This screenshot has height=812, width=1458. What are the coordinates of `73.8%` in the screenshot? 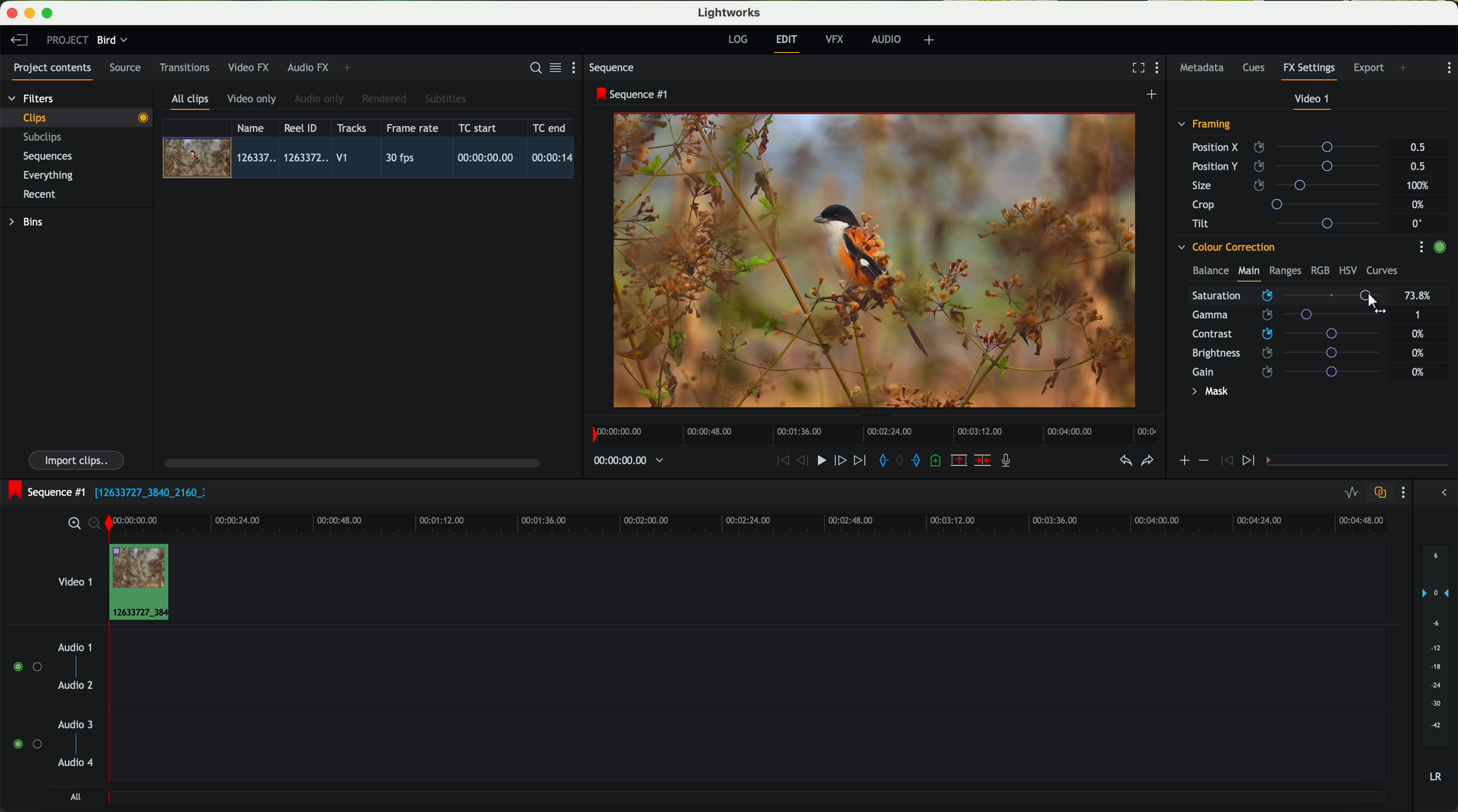 It's located at (1418, 296).